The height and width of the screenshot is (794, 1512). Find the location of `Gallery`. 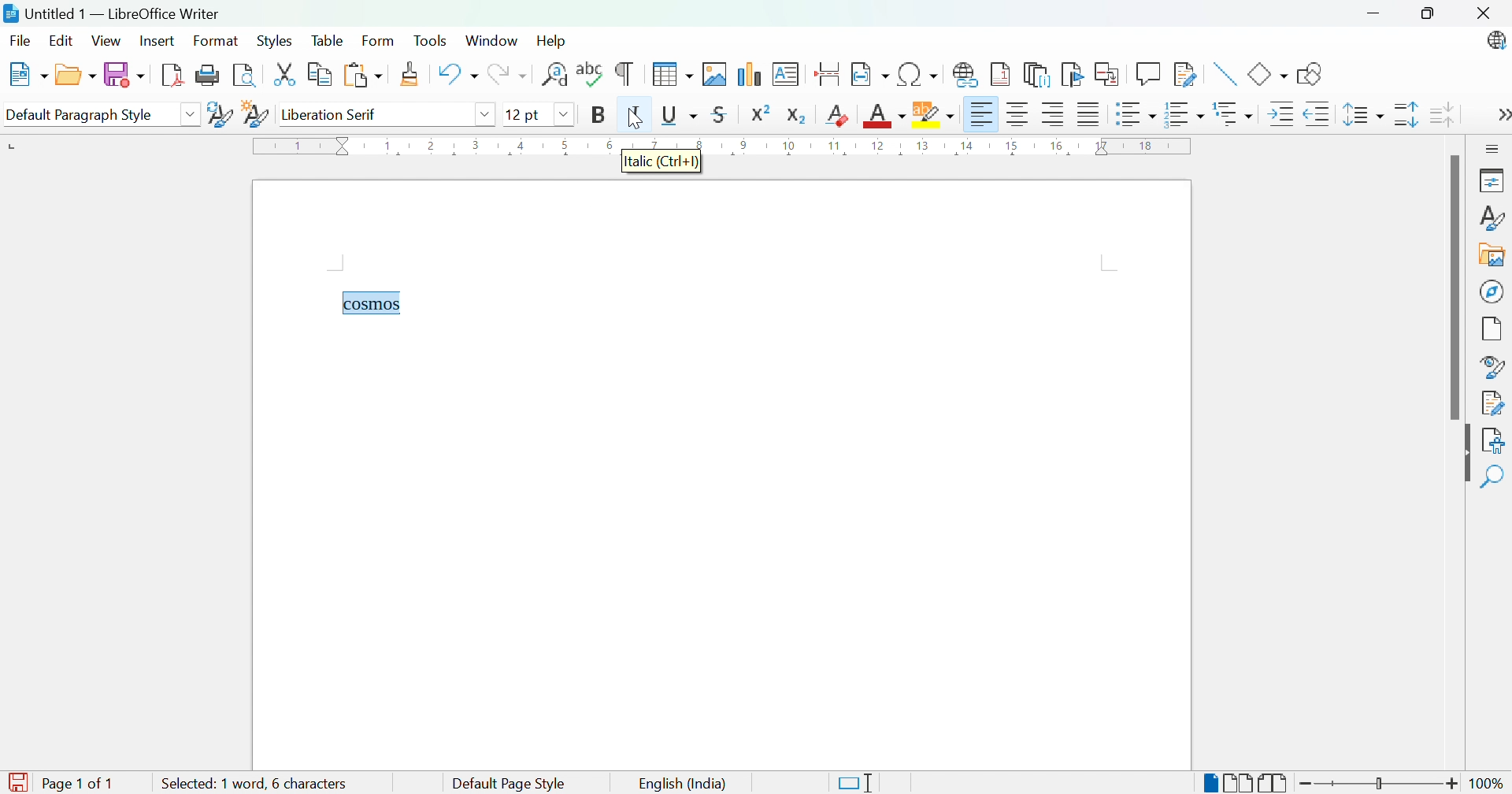

Gallery is located at coordinates (1489, 254).